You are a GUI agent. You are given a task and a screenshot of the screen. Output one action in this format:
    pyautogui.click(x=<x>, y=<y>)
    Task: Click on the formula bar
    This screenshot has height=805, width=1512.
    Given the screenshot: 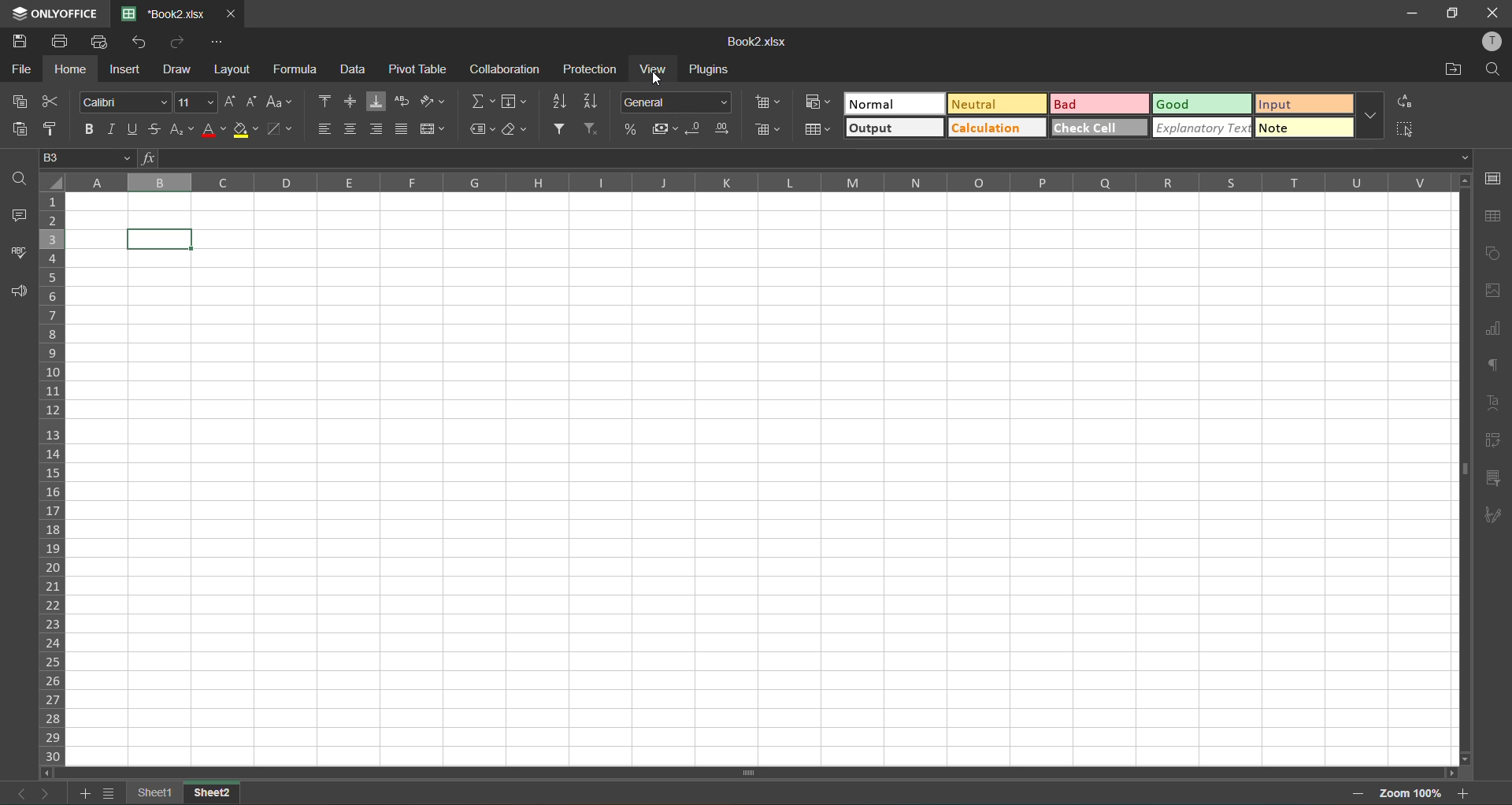 What is the action you would take?
    pyautogui.click(x=808, y=159)
    